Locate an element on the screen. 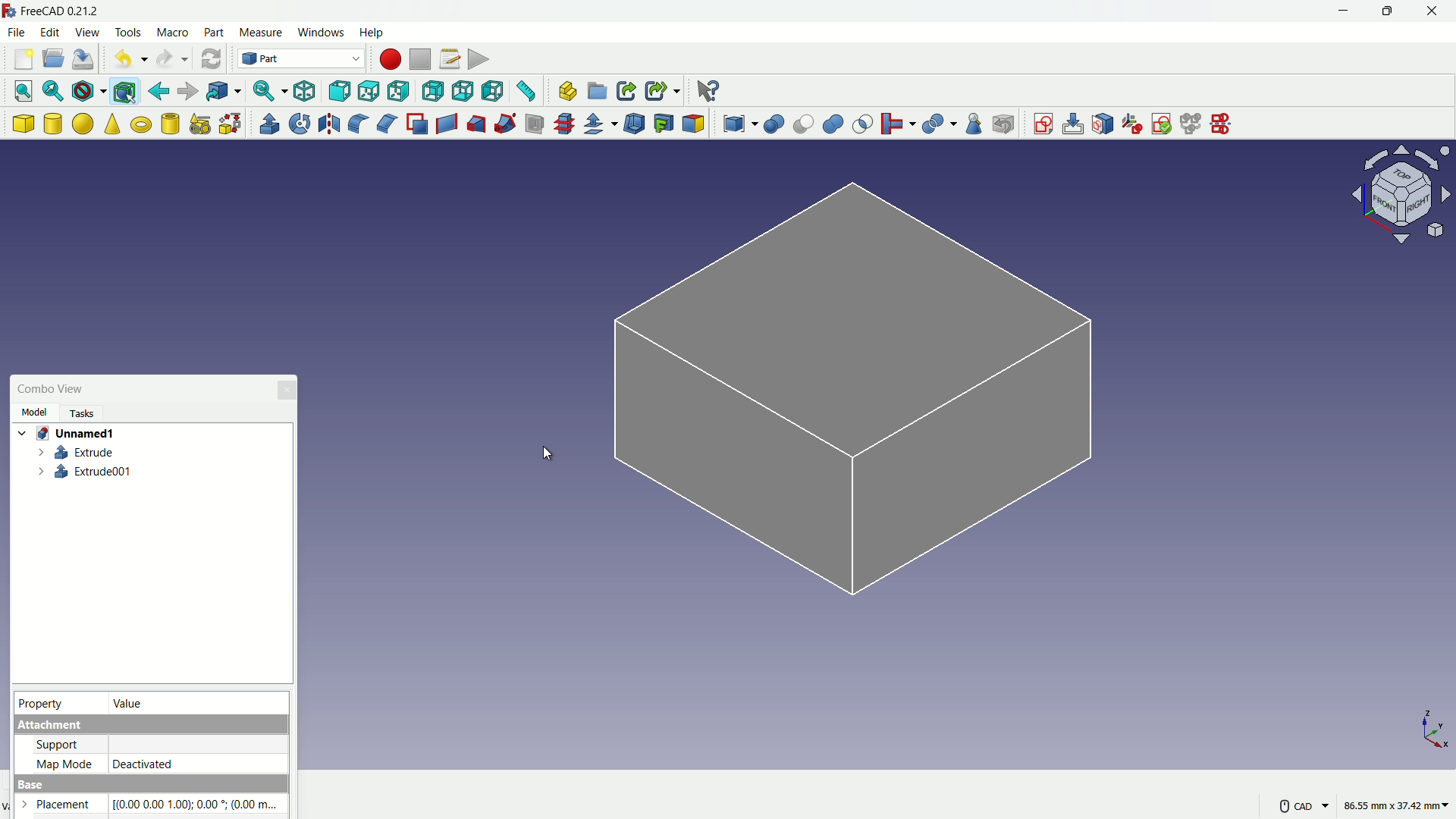 Image resolution: width=1456 pixels, height=819 pixels. close is located at coordinates (1434, 13).